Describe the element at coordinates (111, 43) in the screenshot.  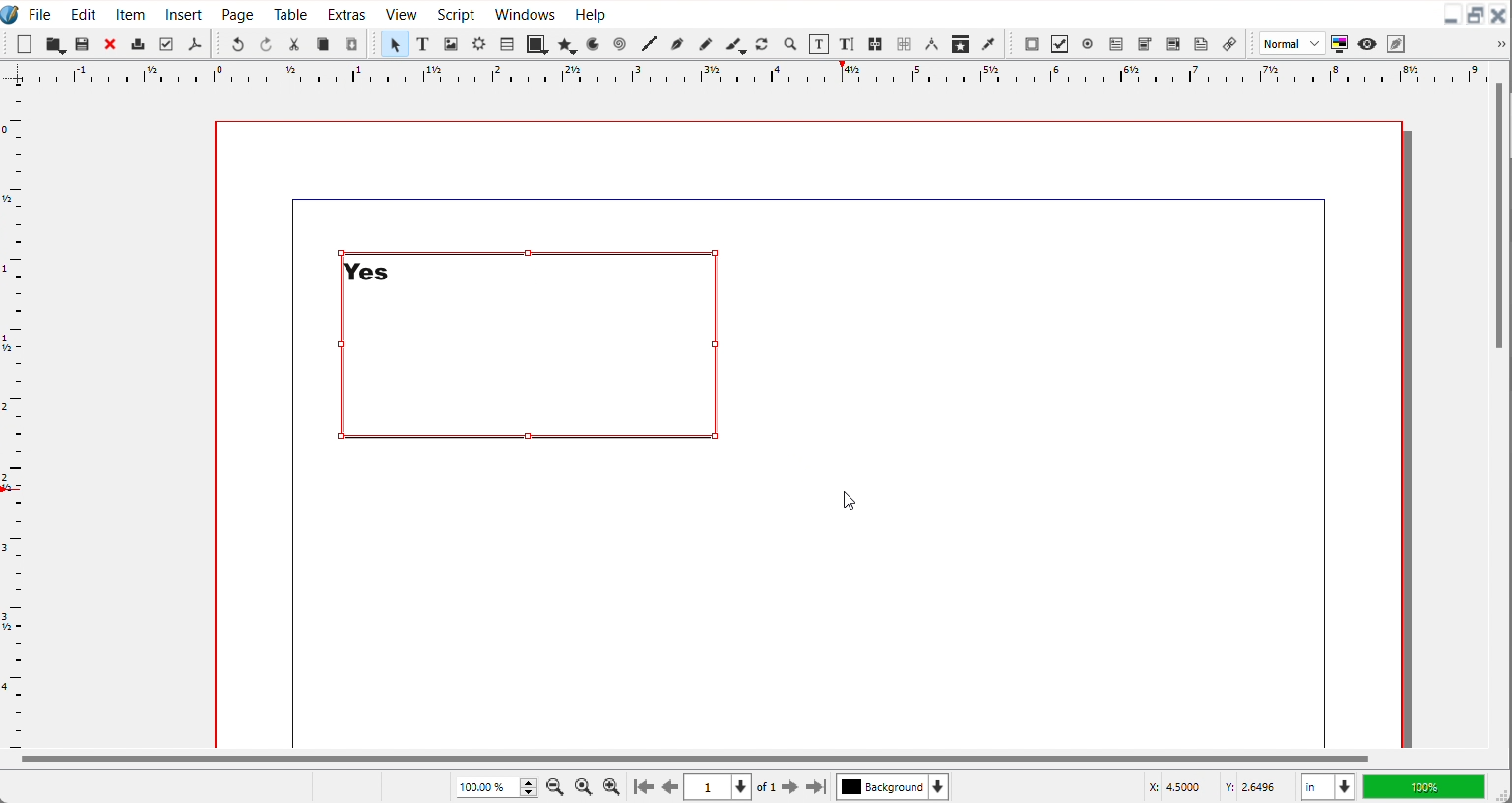
I see `Close` at that location.